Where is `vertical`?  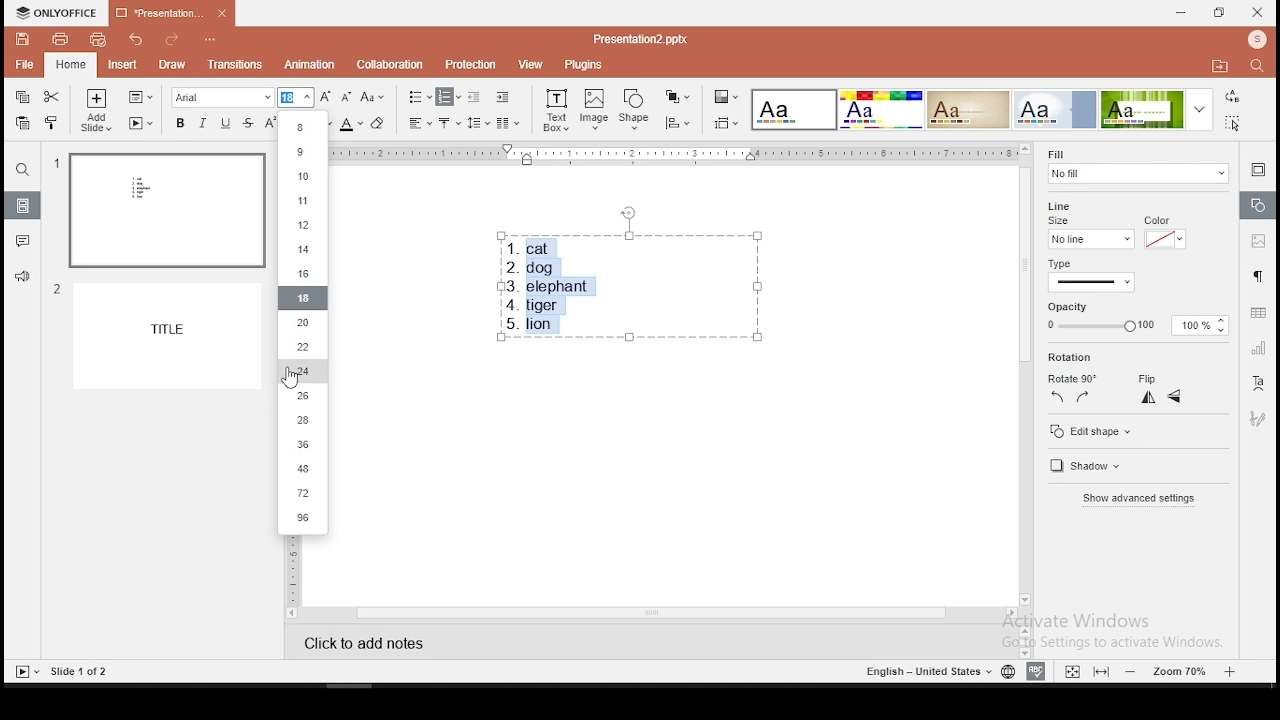 vertical is located at coordinates (1149, 399).